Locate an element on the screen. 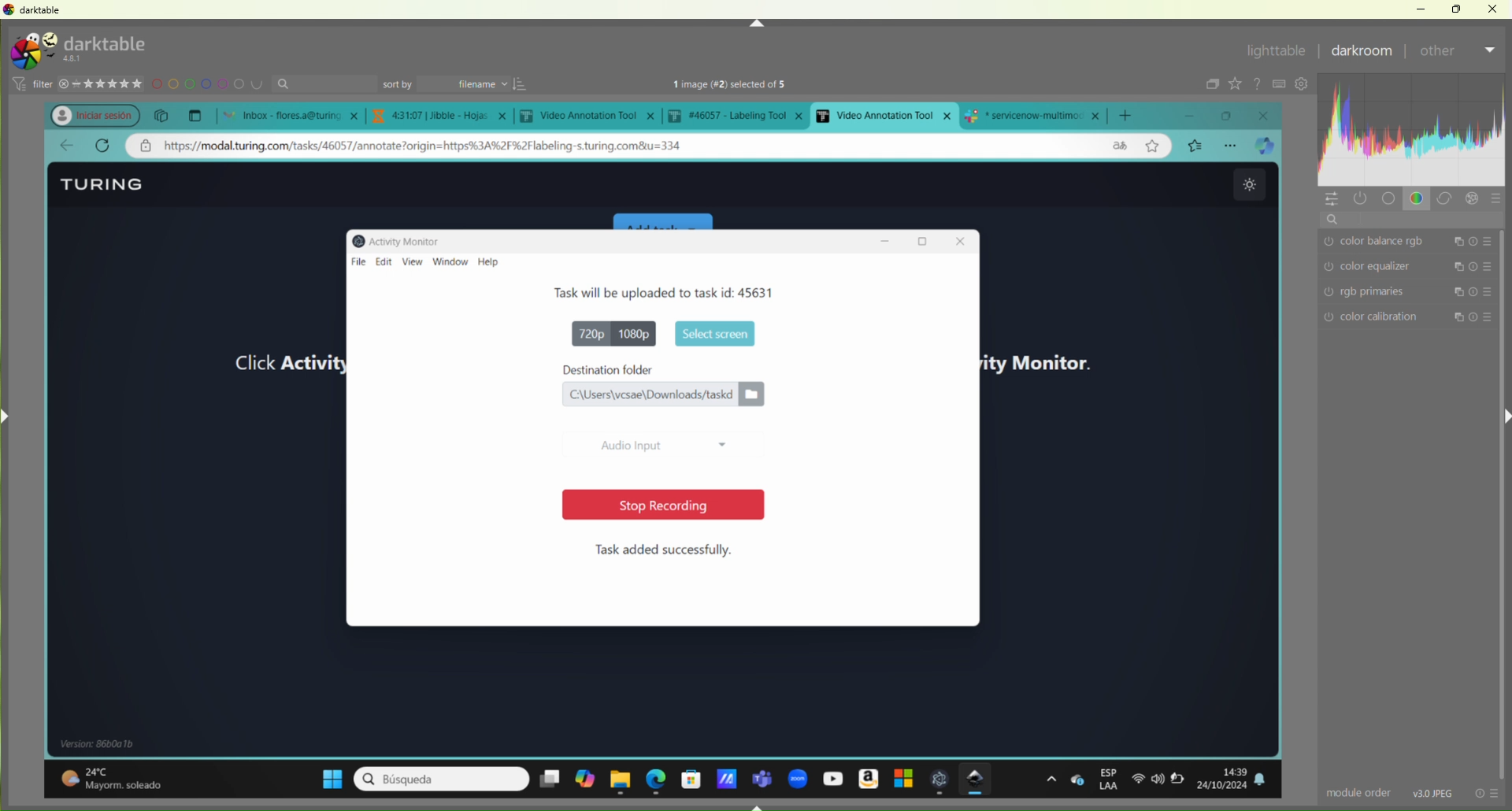  open tabs is located at coordinates (287, 114).